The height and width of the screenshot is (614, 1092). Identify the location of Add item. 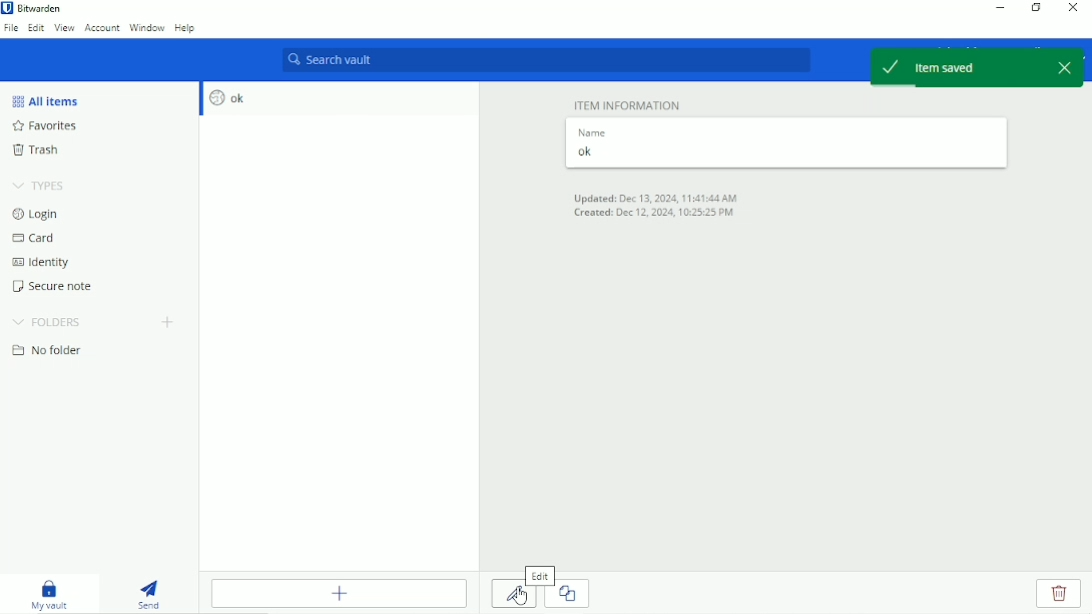
(337, 593).